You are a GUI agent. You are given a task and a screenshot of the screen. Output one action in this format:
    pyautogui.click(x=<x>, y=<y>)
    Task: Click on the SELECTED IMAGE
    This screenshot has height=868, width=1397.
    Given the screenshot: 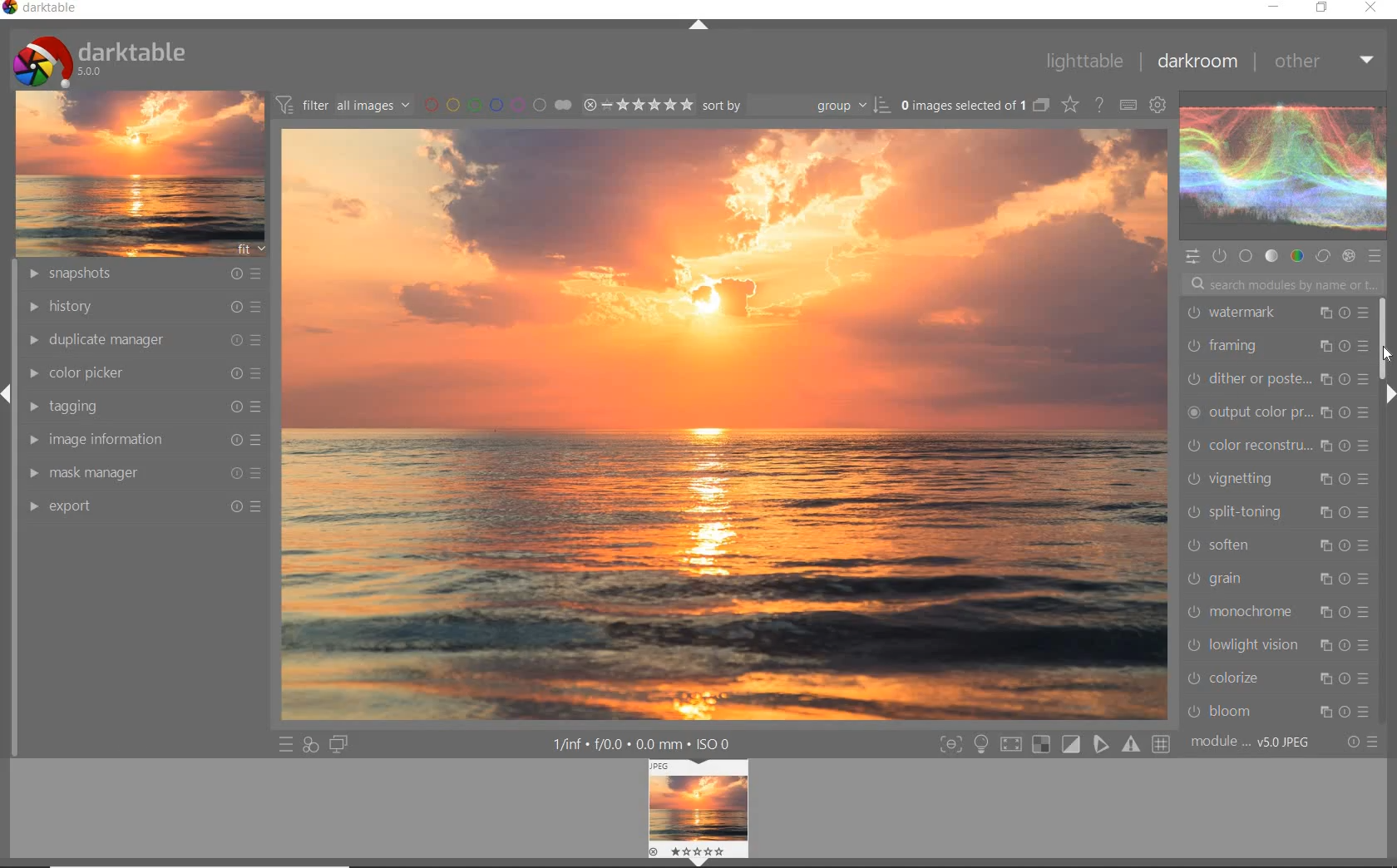 What is the action you would take?
    pyautogui.click(x=725, y=423)
    